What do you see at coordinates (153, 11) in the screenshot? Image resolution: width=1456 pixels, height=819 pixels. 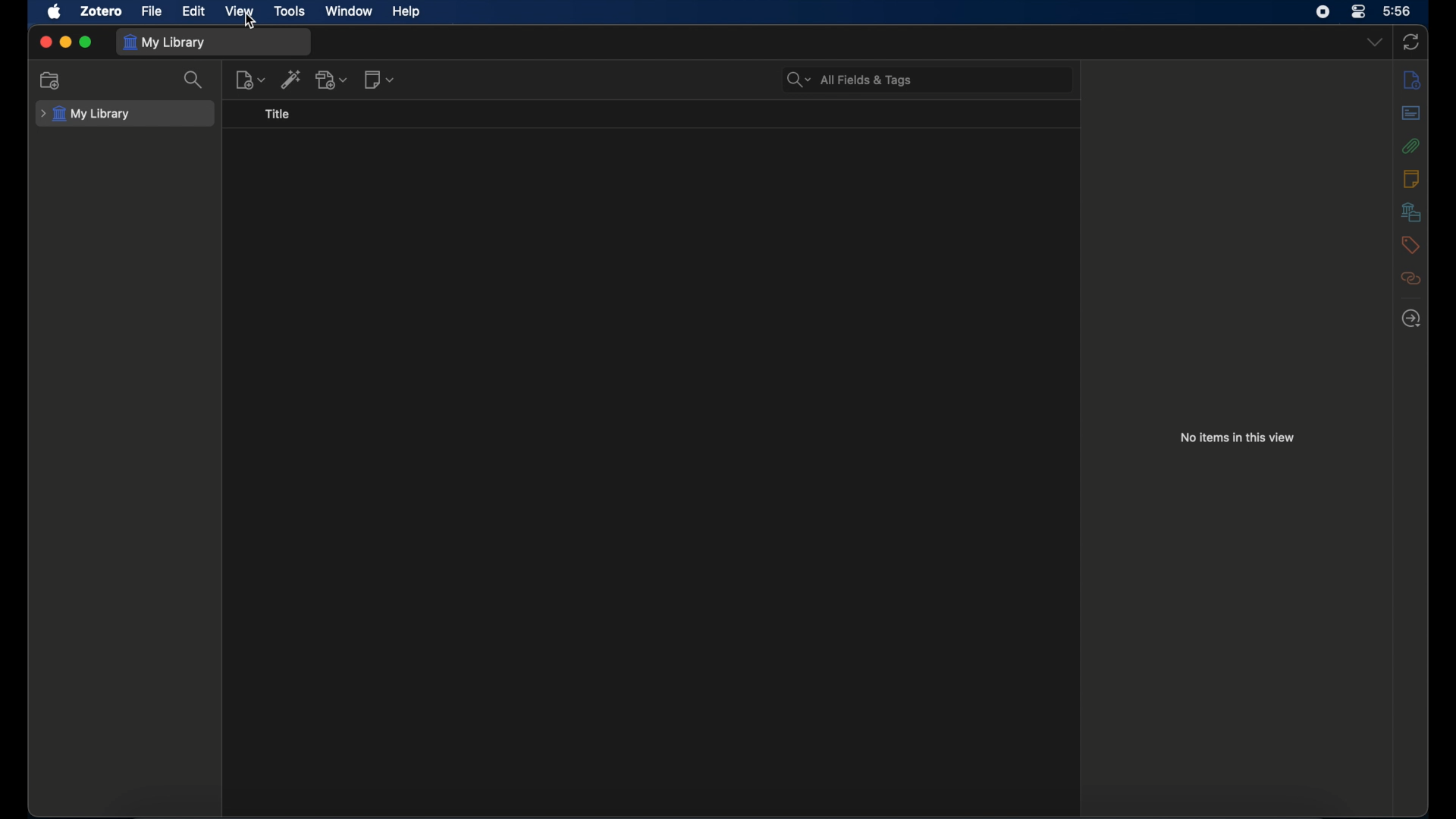 I see `file` at bounding box center [153, 11].